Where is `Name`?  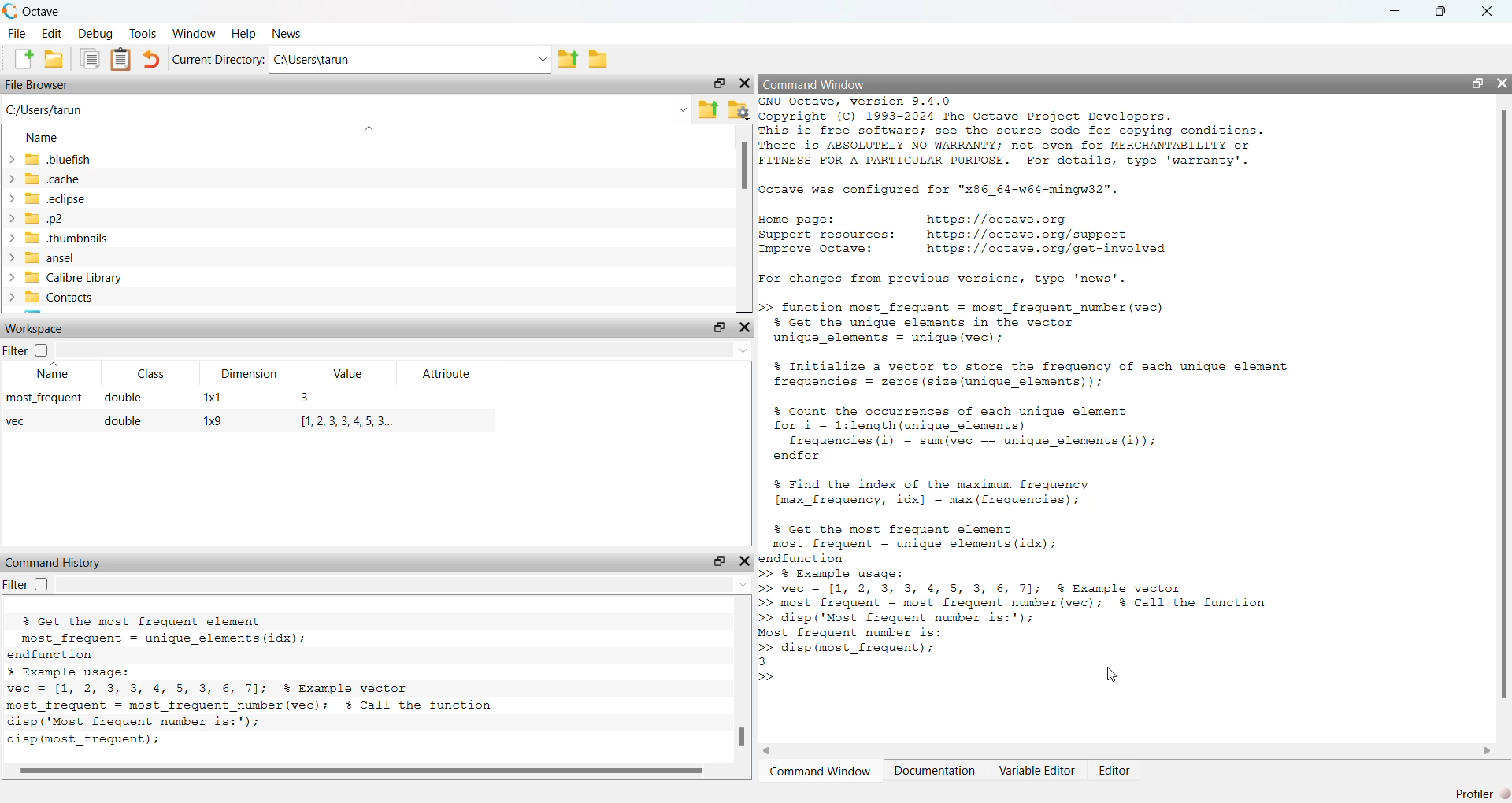
Name is located at coordinates (60, 373).